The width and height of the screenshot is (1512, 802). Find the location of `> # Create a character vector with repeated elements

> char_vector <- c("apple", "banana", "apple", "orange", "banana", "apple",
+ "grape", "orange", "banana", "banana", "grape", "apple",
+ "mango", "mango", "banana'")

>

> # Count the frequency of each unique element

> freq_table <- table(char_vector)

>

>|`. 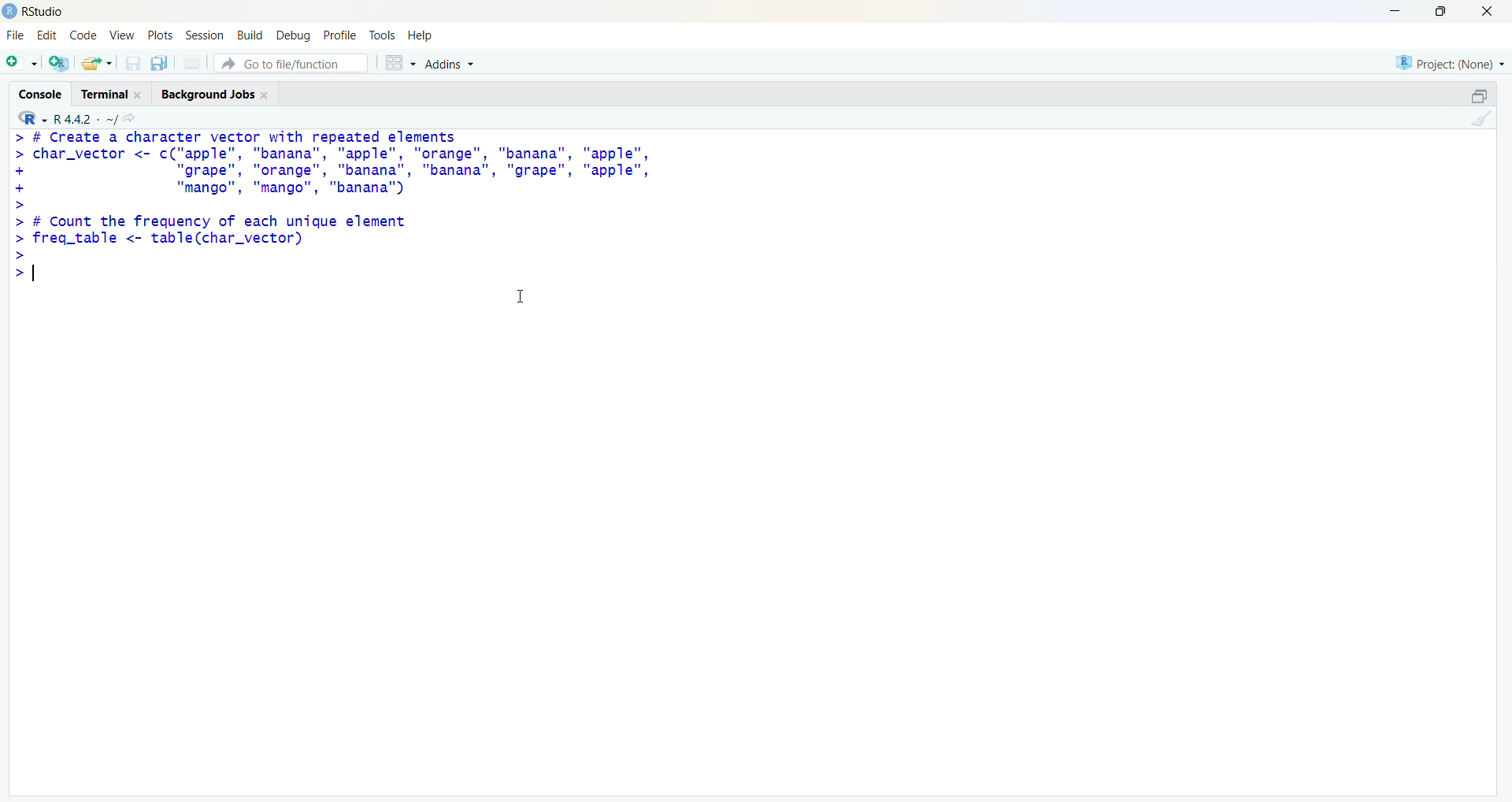

> # Create a character vector with repeated elements

> char_vector <- c("apple", "banana", "apple", "orange", "banana", "apple",
+ "grape", "orange", "banana", "banana", "grape", "apple",
+ "mango", "mango", "banana'")

>

> # Count the frequency of each unique element

> freq_table <- table(char_vector)

>

>| is located at coordinates (364, 205).